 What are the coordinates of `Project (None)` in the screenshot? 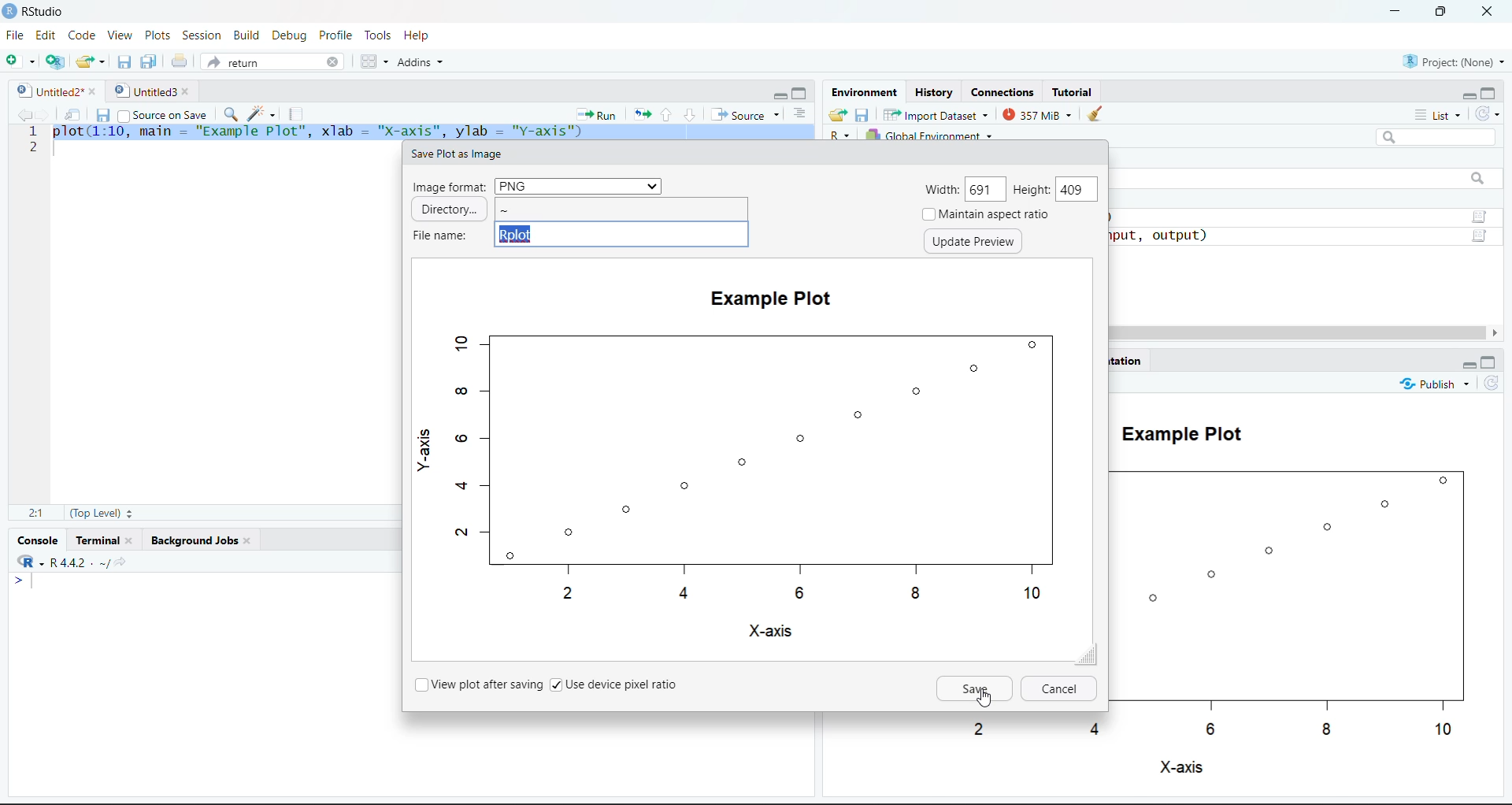 It's located at (1450, 60).